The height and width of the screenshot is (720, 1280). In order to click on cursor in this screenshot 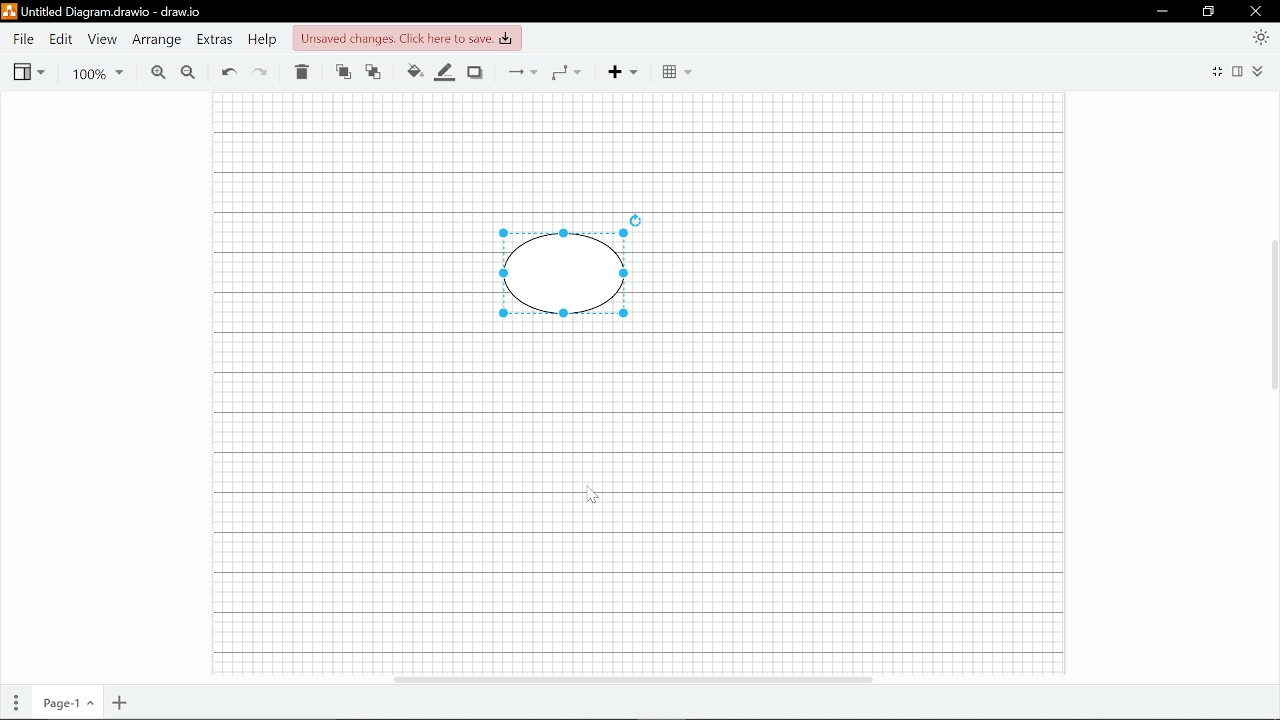, I will do `click(594, 495)`.